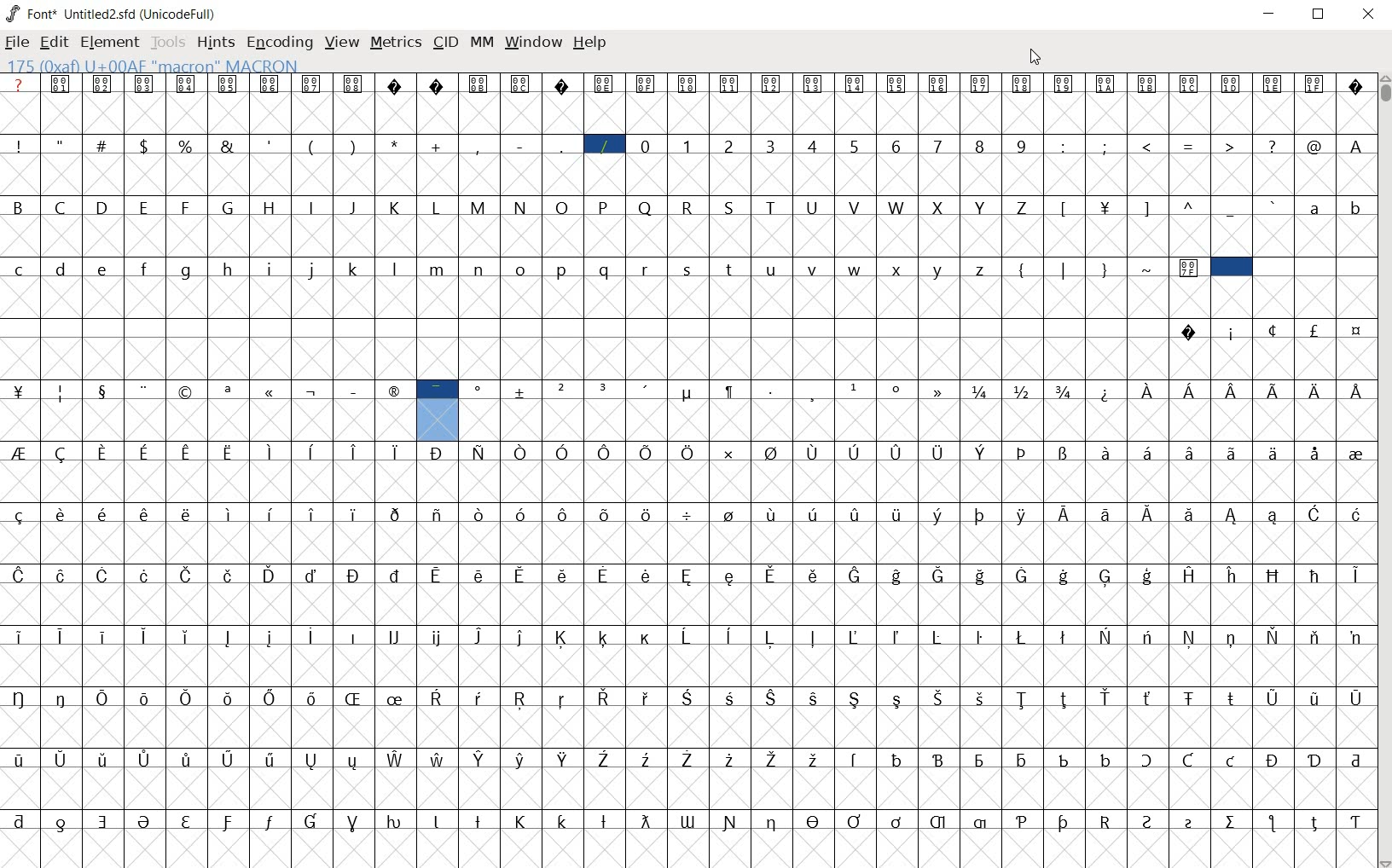  What do you see at coordinates (833, 165) in the screenshot?
I see `numbers` at bounding box center [833, 165].